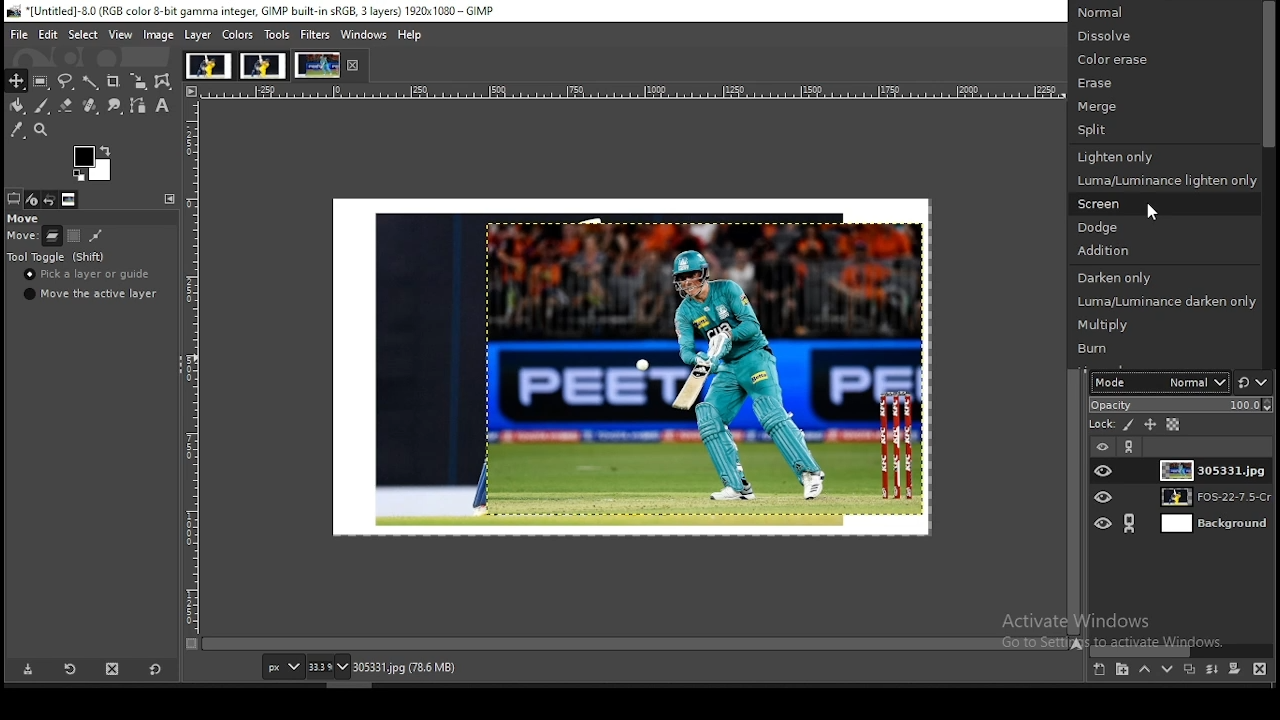  Describe the element at coordinates (1104, 525) in the screenshot. I see `layer visibility on/off` at that location.